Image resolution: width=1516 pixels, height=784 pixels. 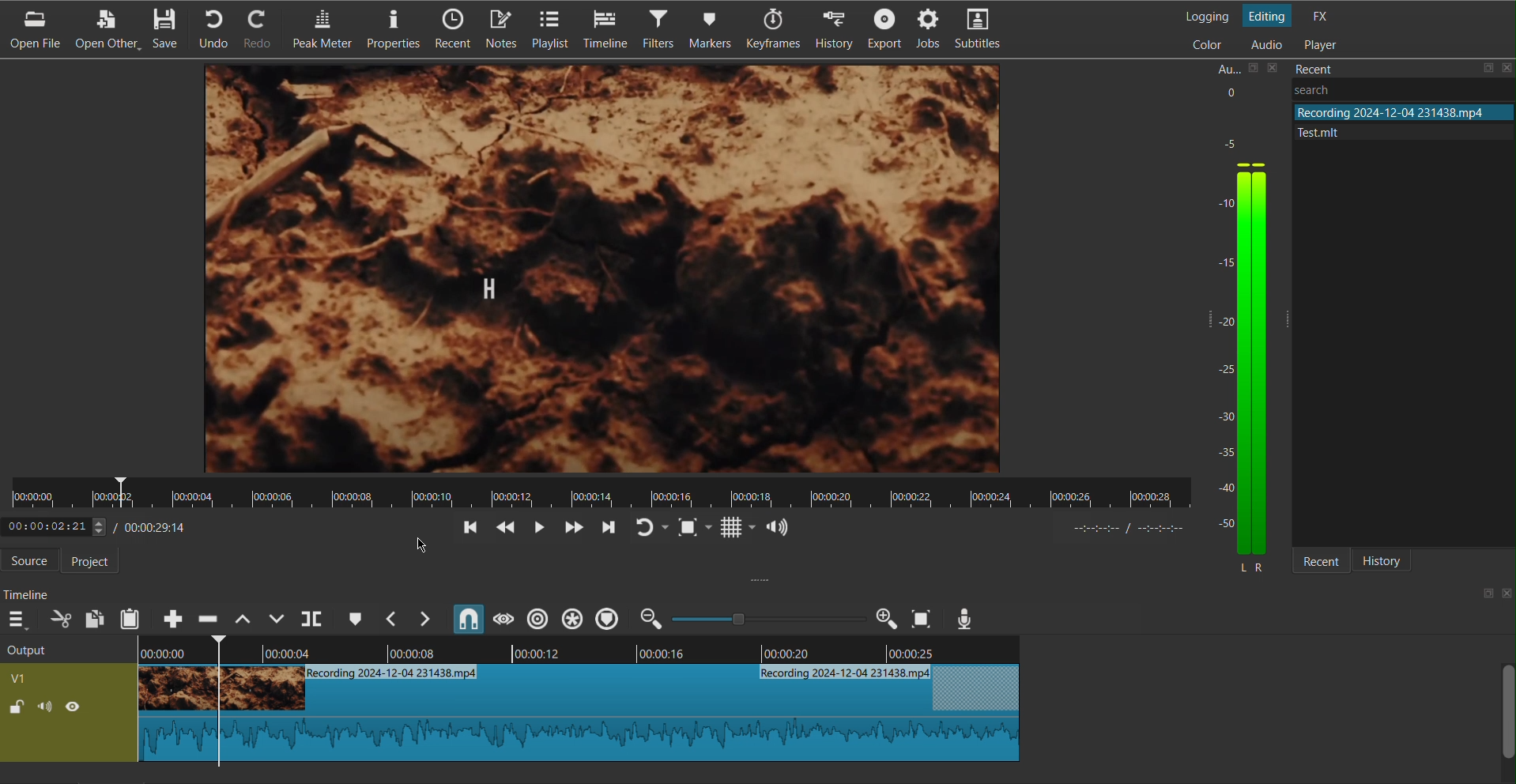 What do you see at coordinates (1225, 66) in the screenshot?
I see `Aux` at bounding box center [1225, 66].